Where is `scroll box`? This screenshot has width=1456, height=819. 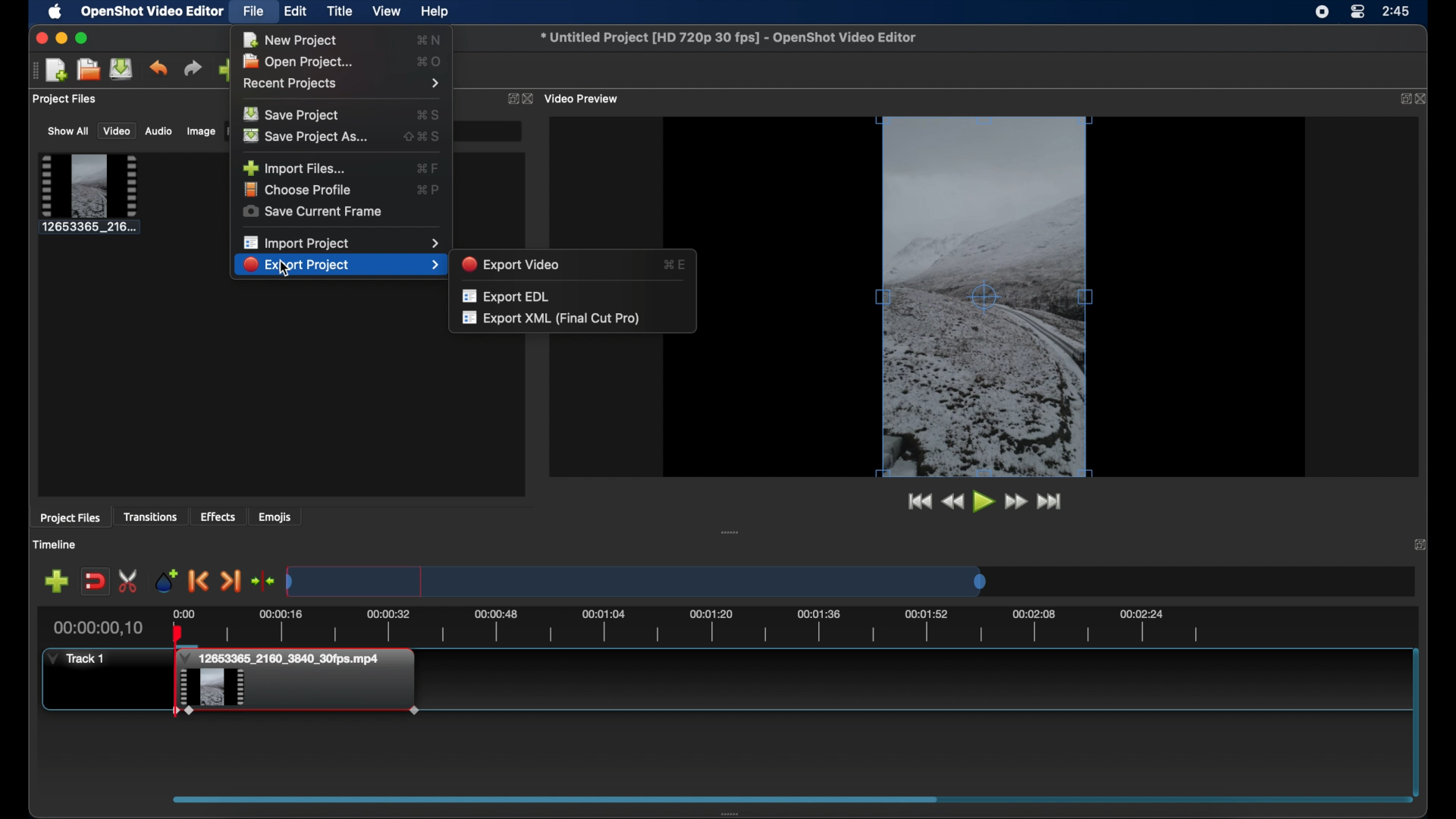 scroll box is located at coordinates (777, 802).